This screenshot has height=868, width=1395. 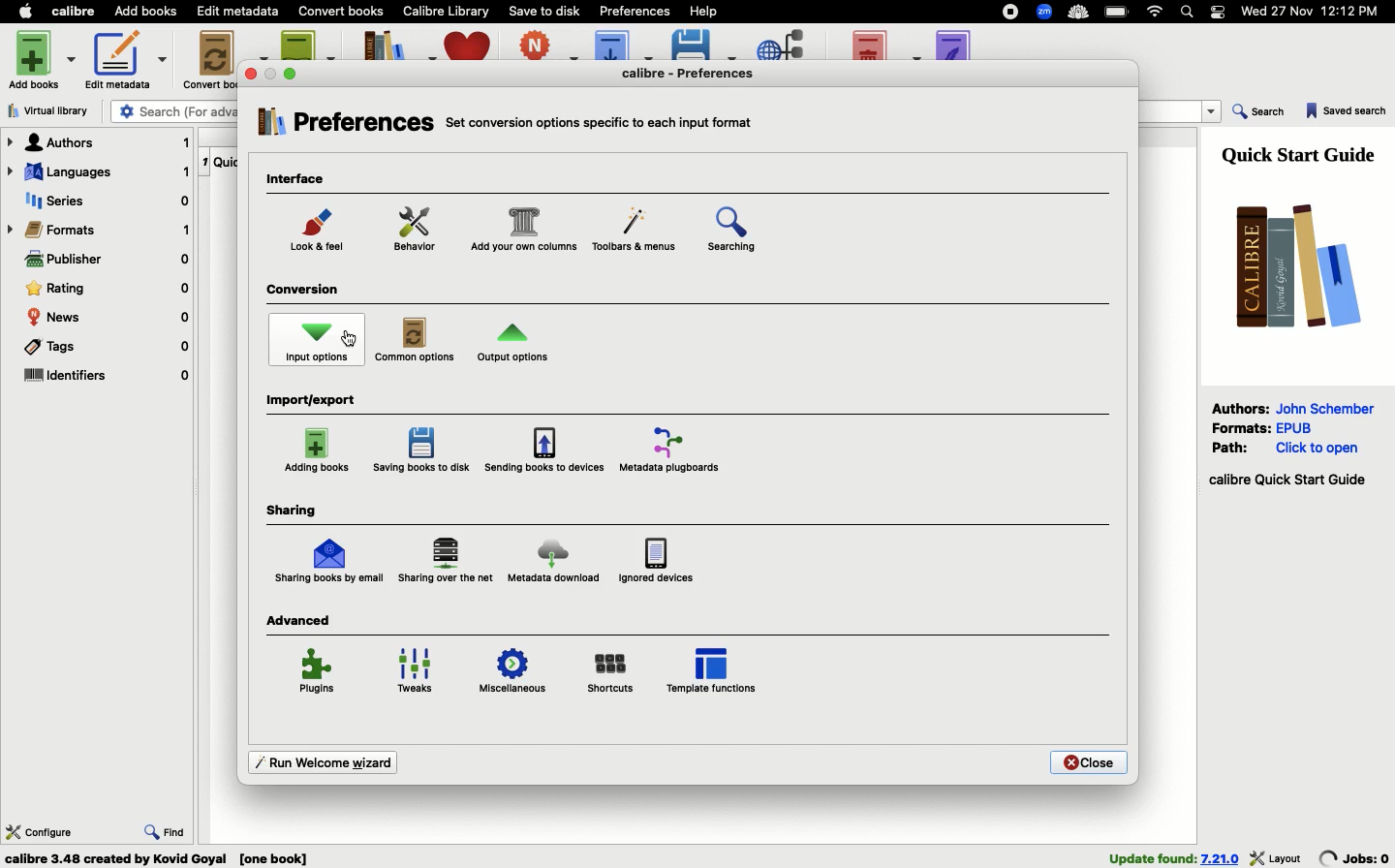 What do you see at coordinates (675, 449) in the screenshot?
I see `Metadata` at bounding box center [675, 449].